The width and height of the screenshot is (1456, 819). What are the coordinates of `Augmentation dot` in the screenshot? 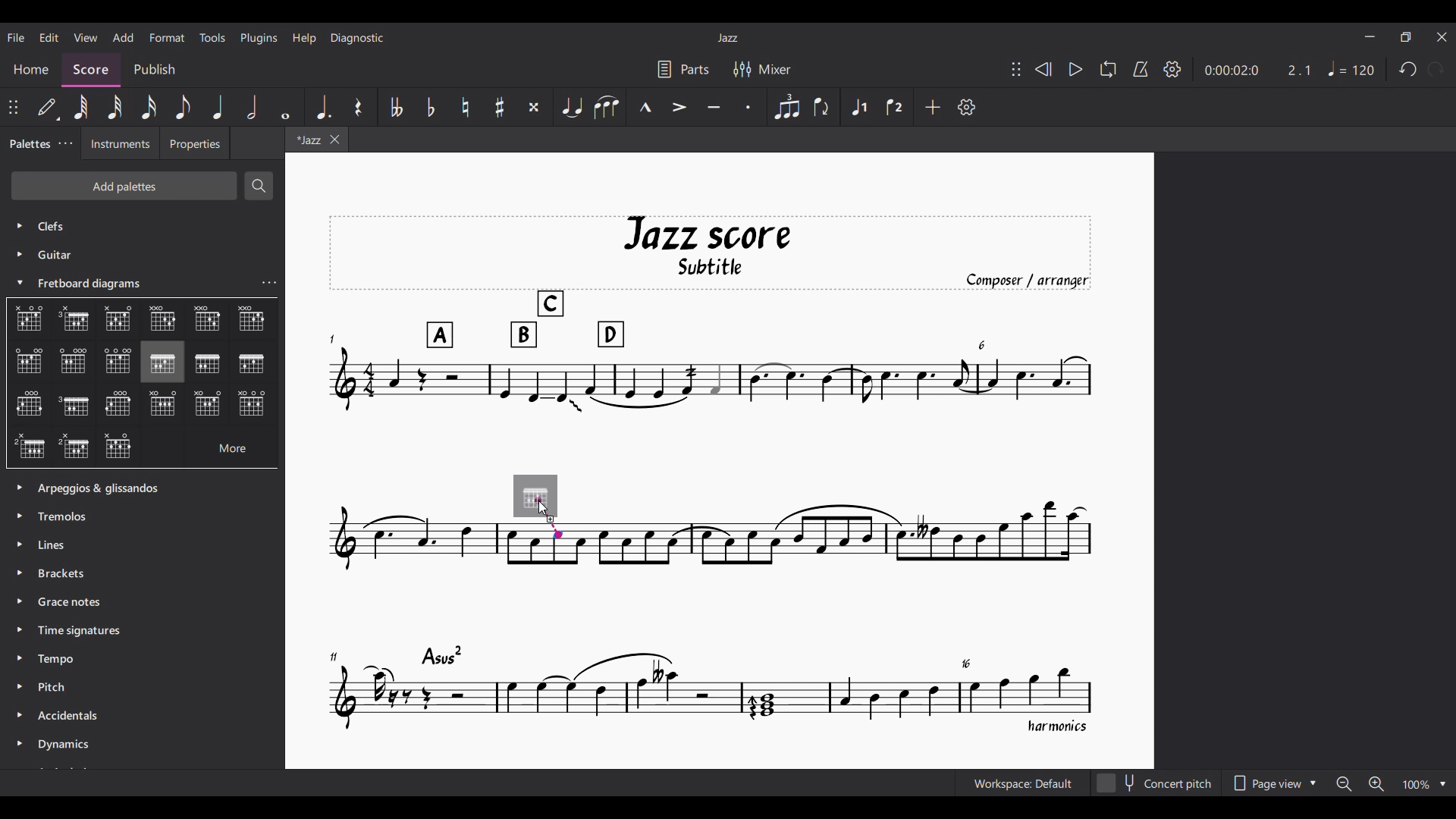 It's located at (322, 106).